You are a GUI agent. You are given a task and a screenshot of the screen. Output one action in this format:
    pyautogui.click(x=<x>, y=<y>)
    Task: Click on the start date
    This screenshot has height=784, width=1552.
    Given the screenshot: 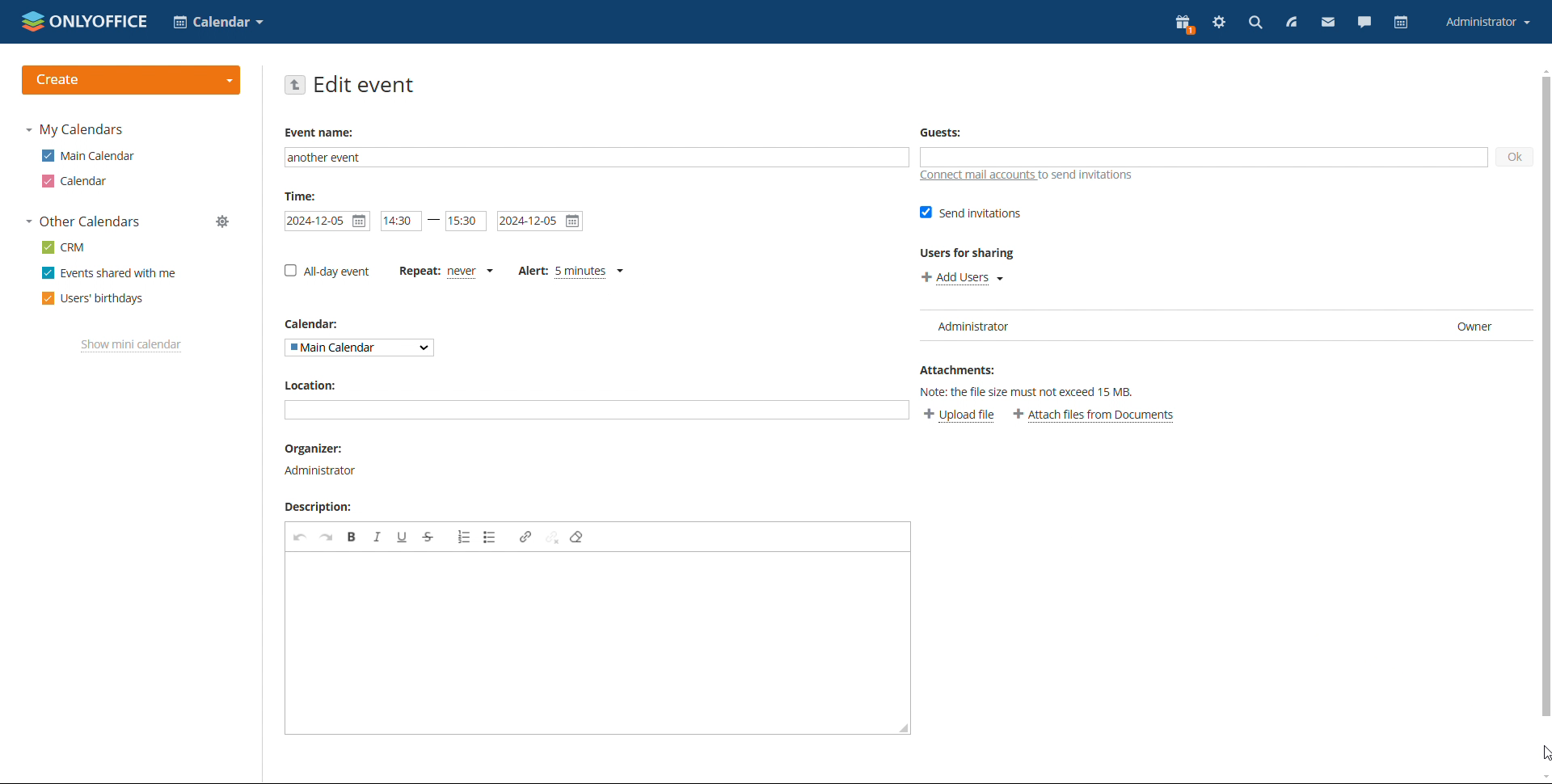 What is the action you would take?
    pyautogui.click(x=327, y=221)
    